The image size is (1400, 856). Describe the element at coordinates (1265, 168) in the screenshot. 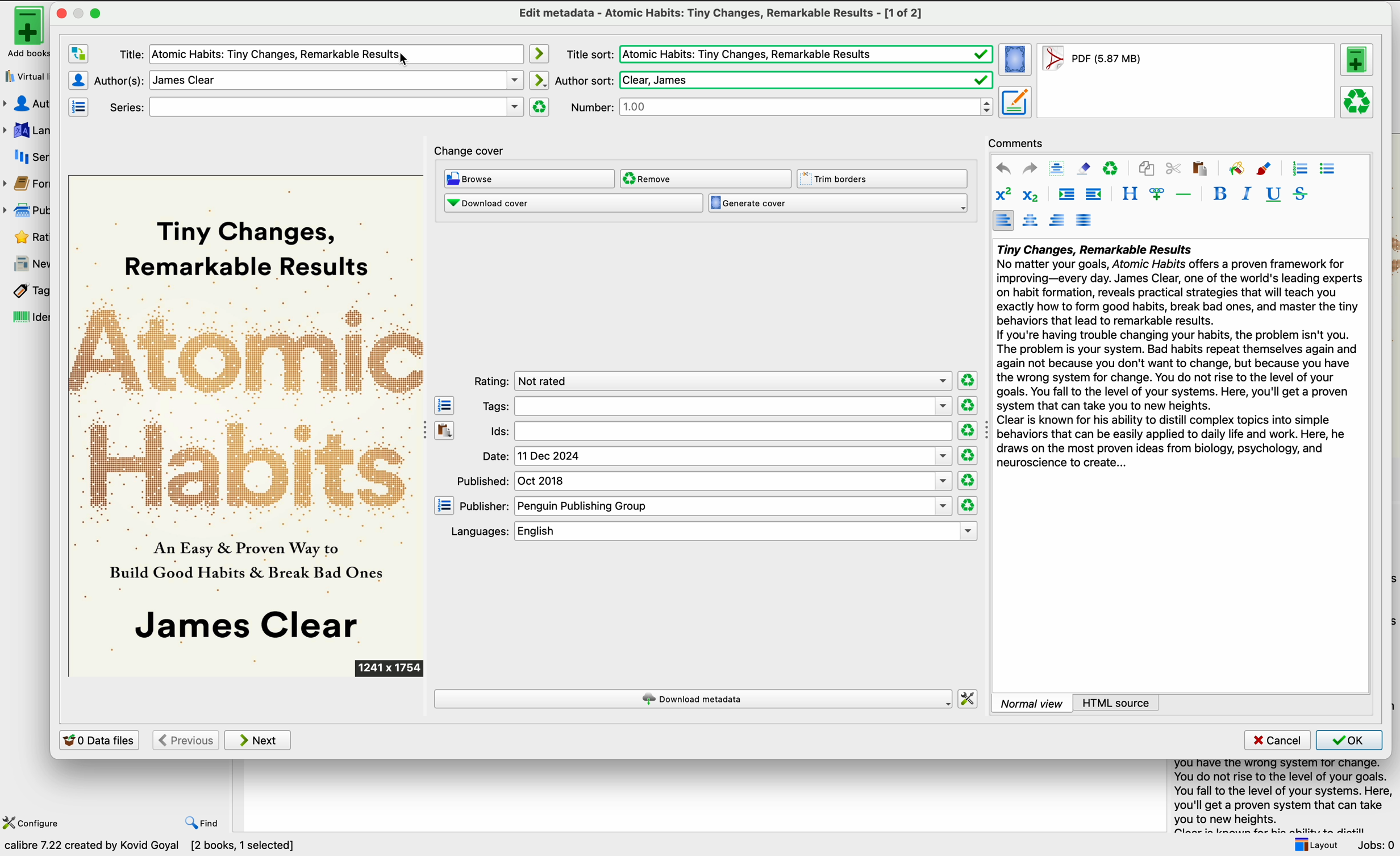

I see `foreground color` at that location.